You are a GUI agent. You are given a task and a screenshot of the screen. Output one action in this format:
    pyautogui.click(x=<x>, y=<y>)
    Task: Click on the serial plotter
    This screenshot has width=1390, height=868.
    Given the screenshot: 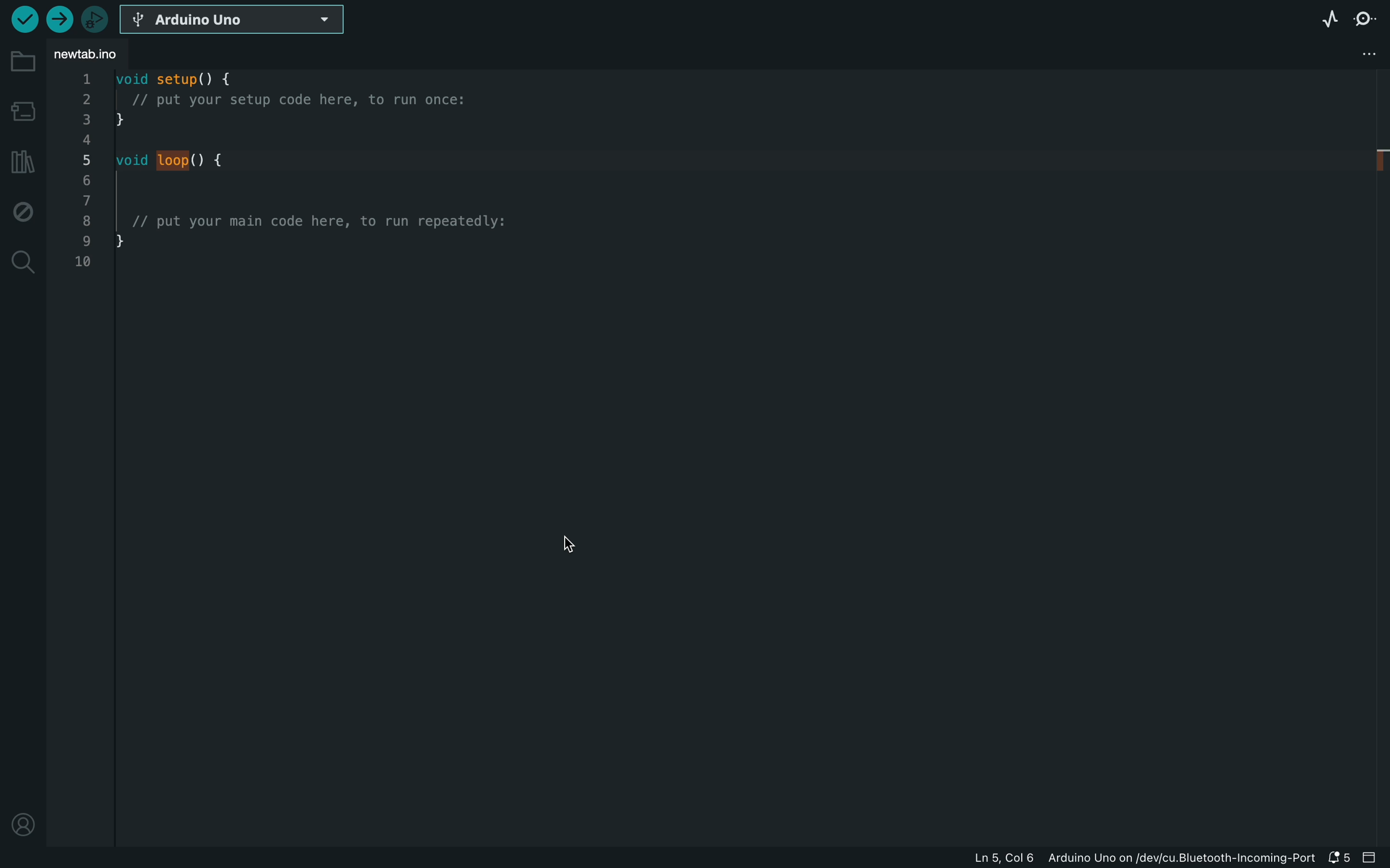 What is the action you would take?
    pyautogui.click(x=1328, y=18)
    